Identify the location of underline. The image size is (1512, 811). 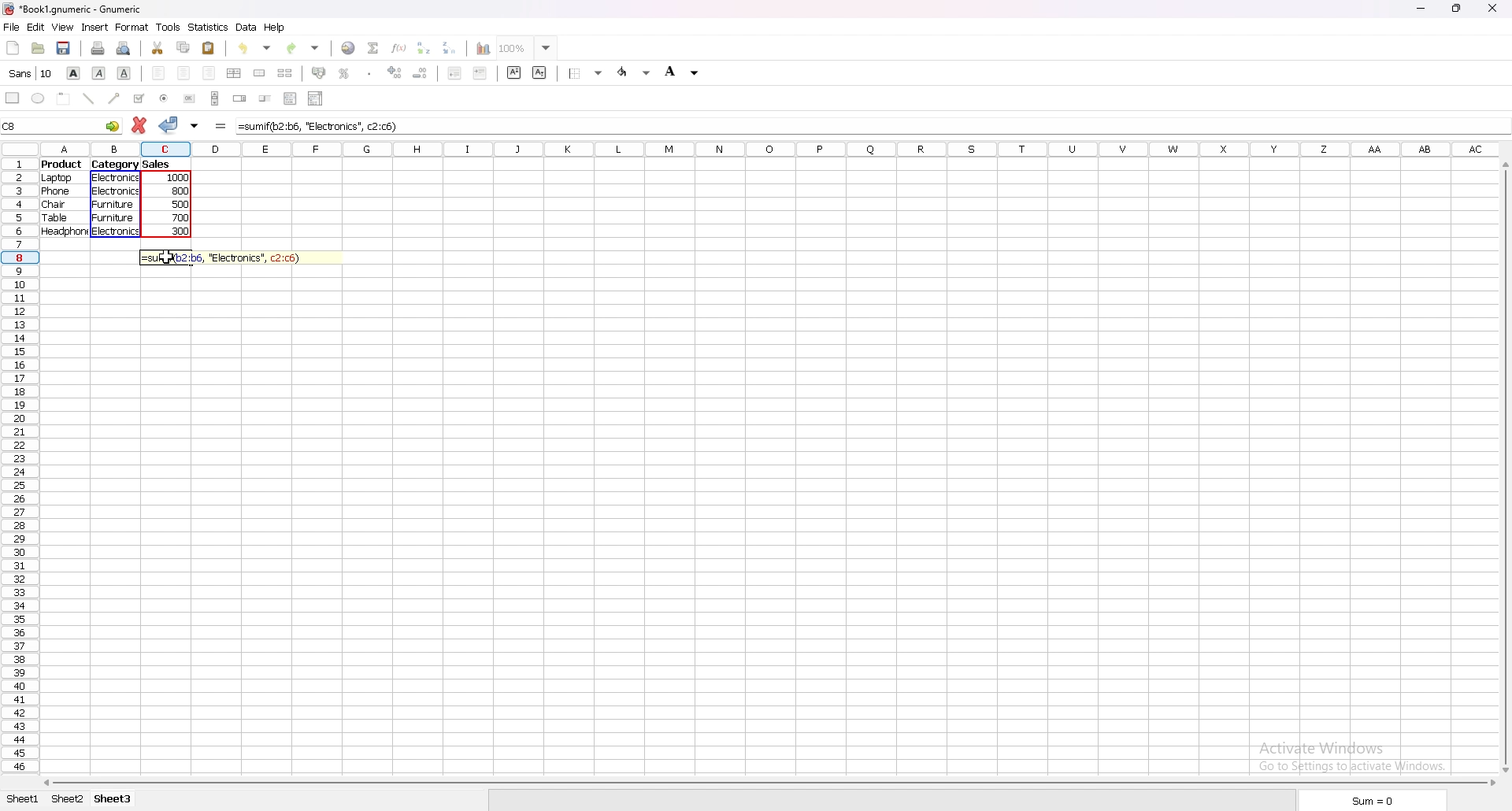
(124, 73).